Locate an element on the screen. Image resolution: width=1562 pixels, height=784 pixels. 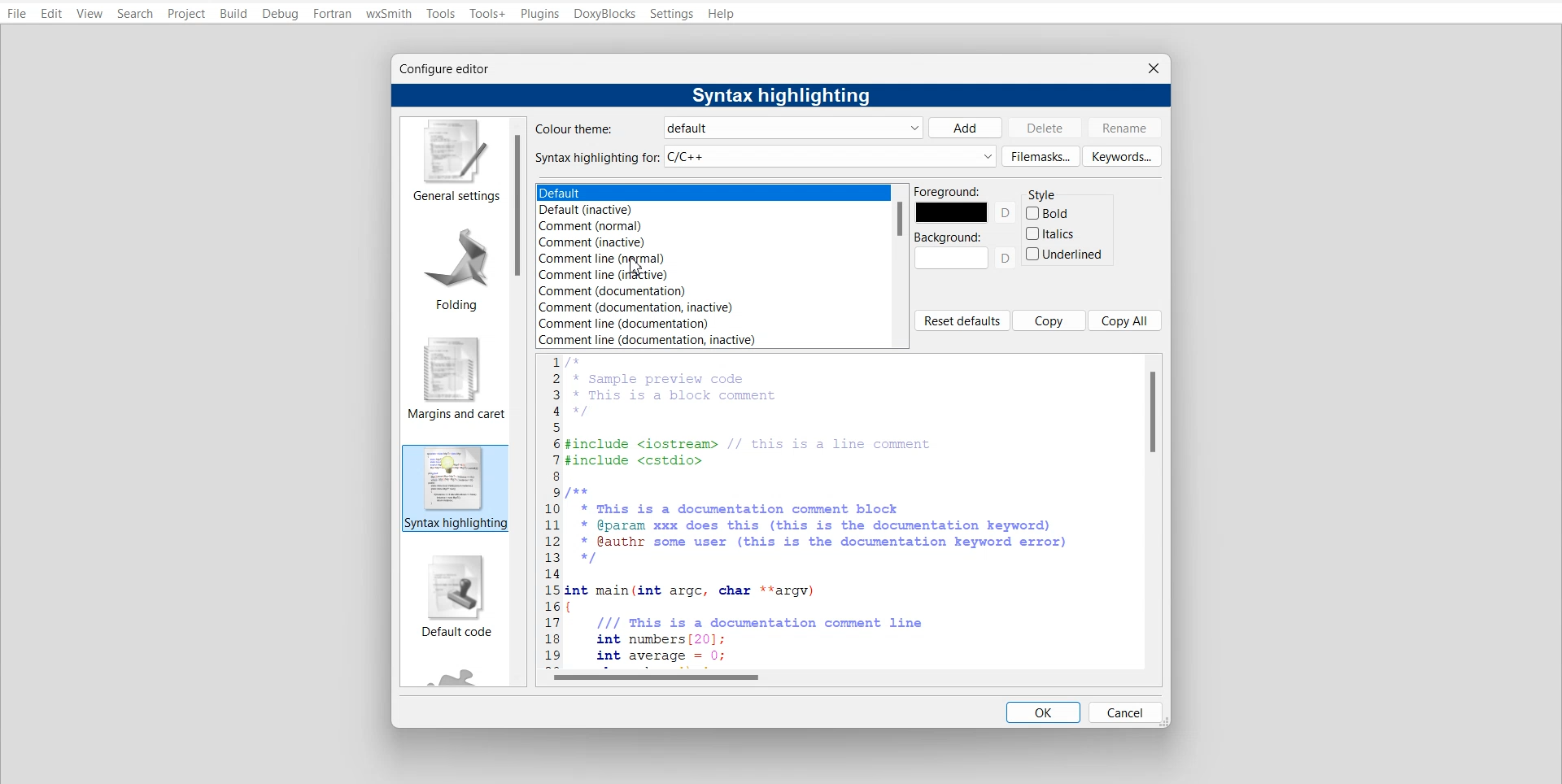
Debug is located at coordinates (281, 14).